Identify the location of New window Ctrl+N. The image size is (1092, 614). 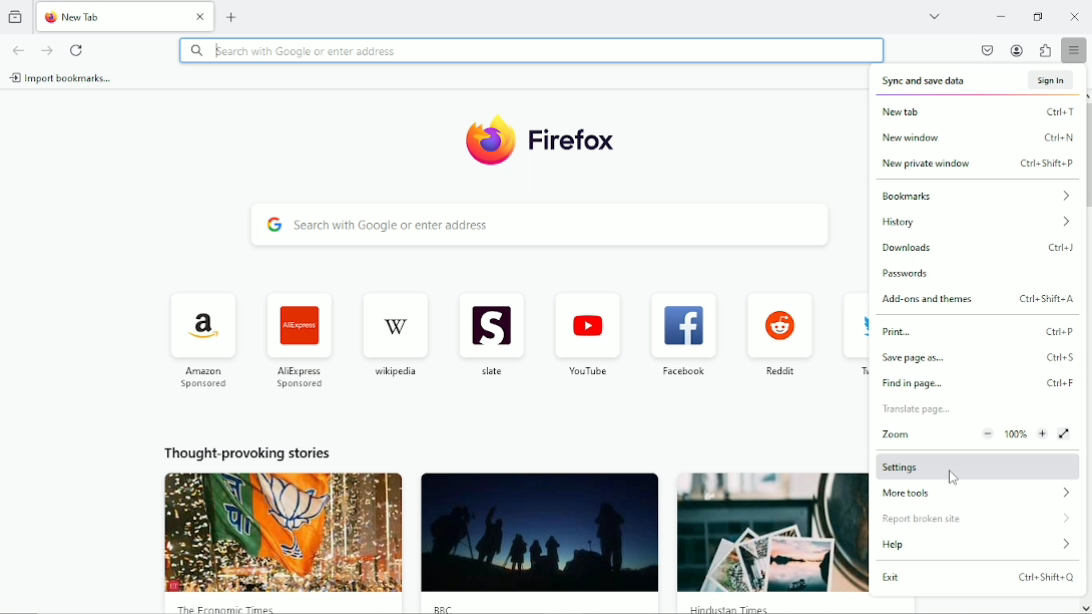
(973, 138).